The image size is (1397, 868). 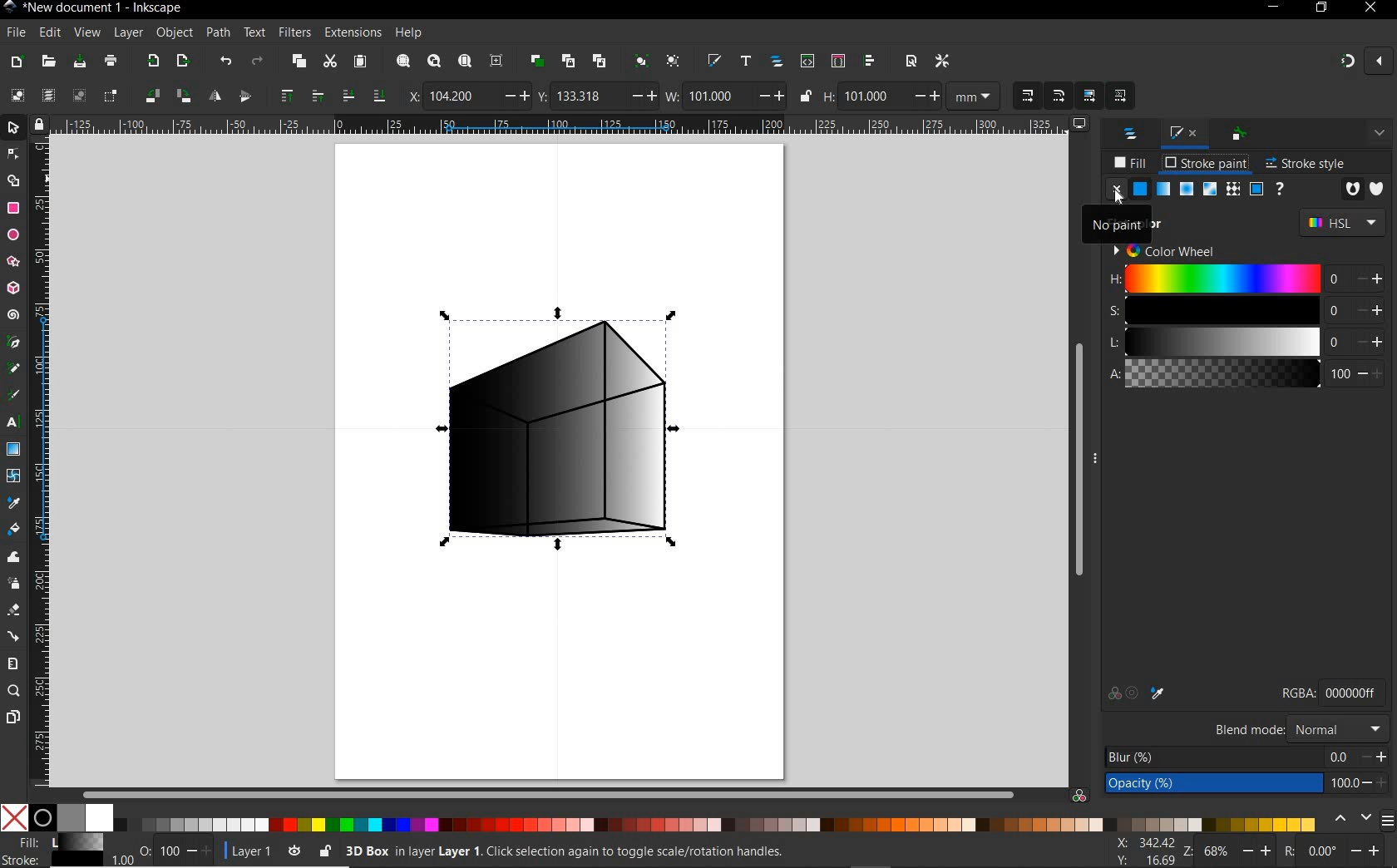 I want to click on TWEAK TOOL, so click(x=13, y=557).